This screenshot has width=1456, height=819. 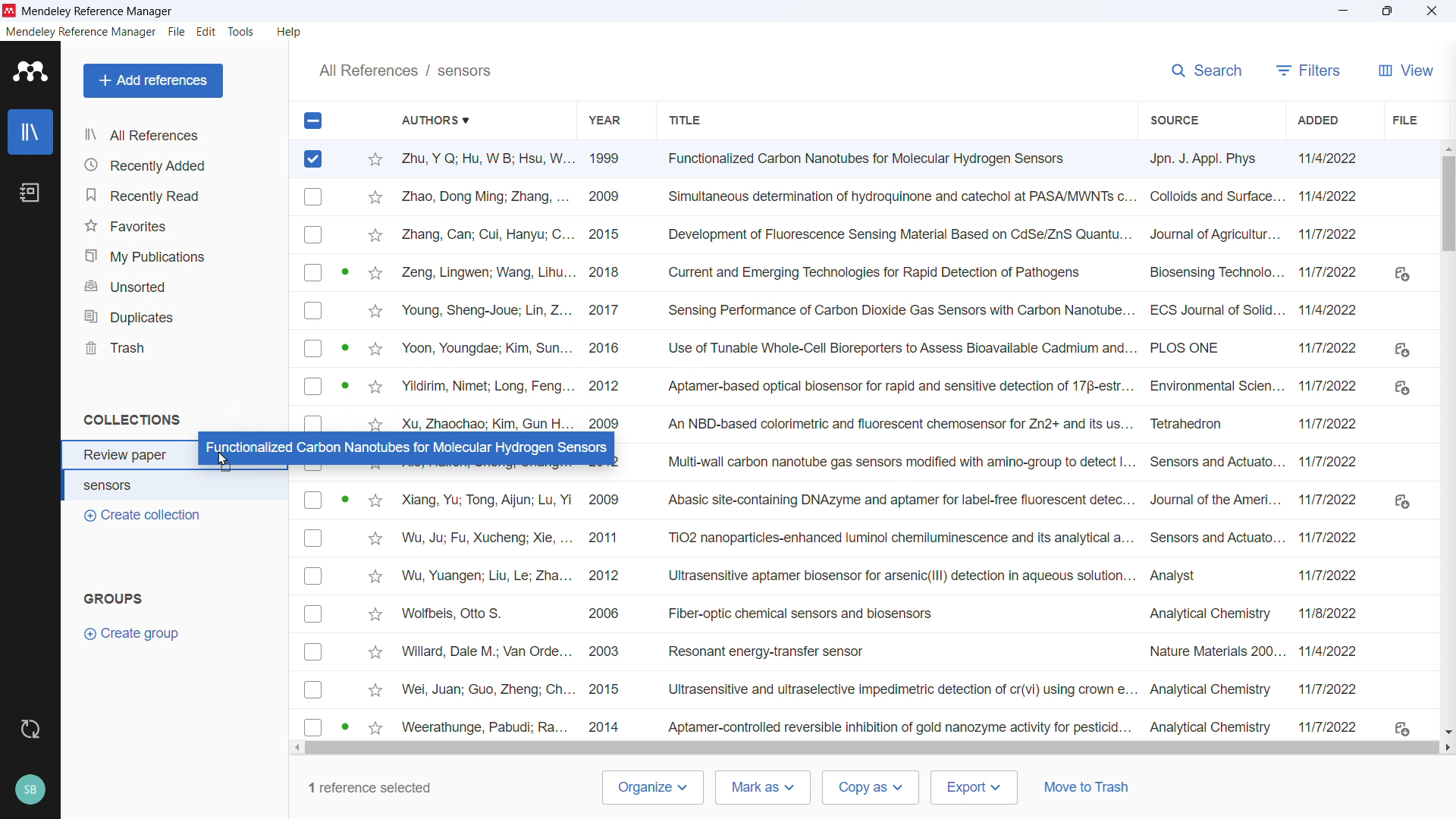 What do you see at coordinates (444, 120) in the screenshot?
I see `Sort by authors ` at bounding box center [444, 120].